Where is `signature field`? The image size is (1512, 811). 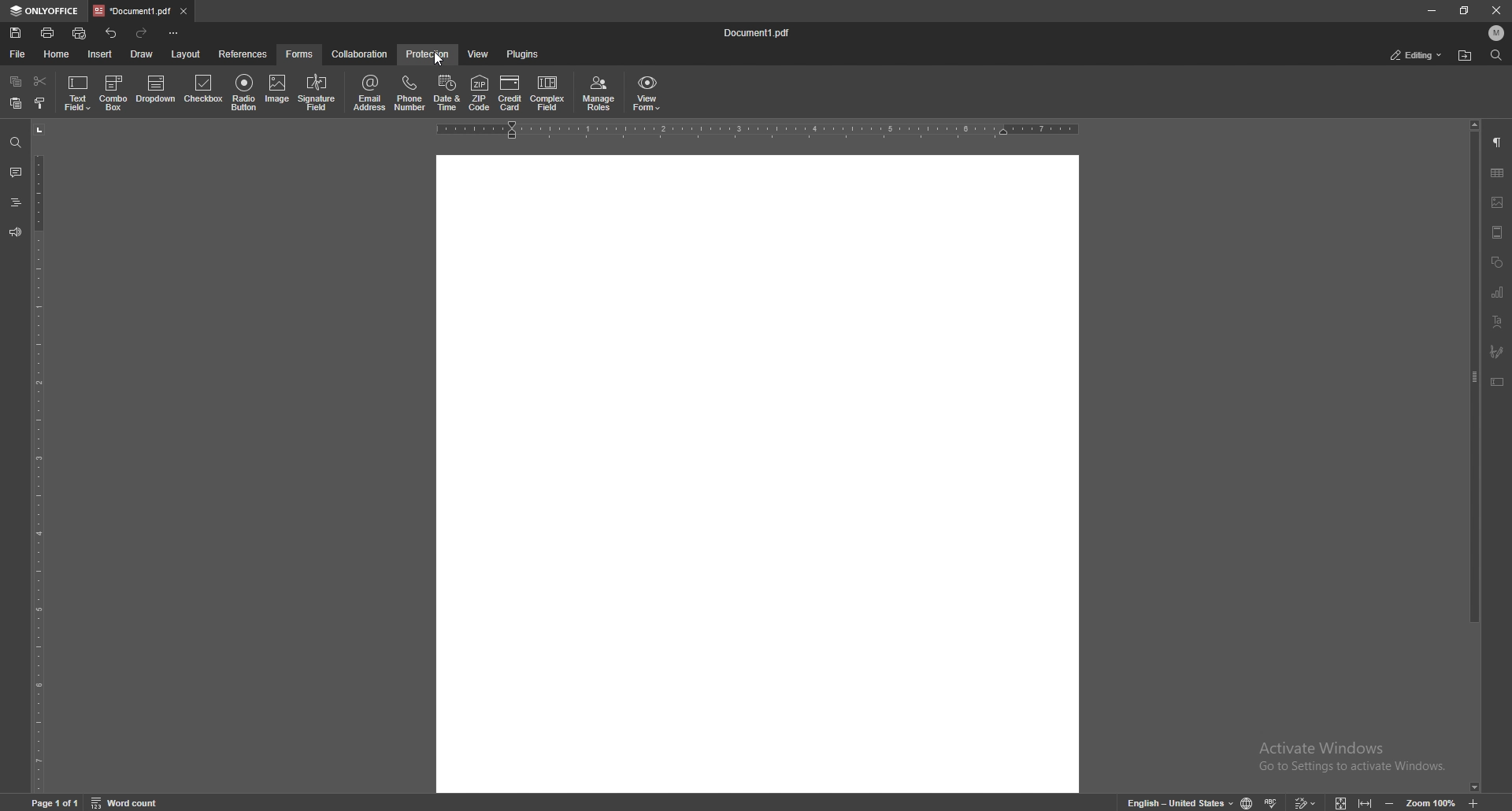 signature field is located at coordinates (317, 94).